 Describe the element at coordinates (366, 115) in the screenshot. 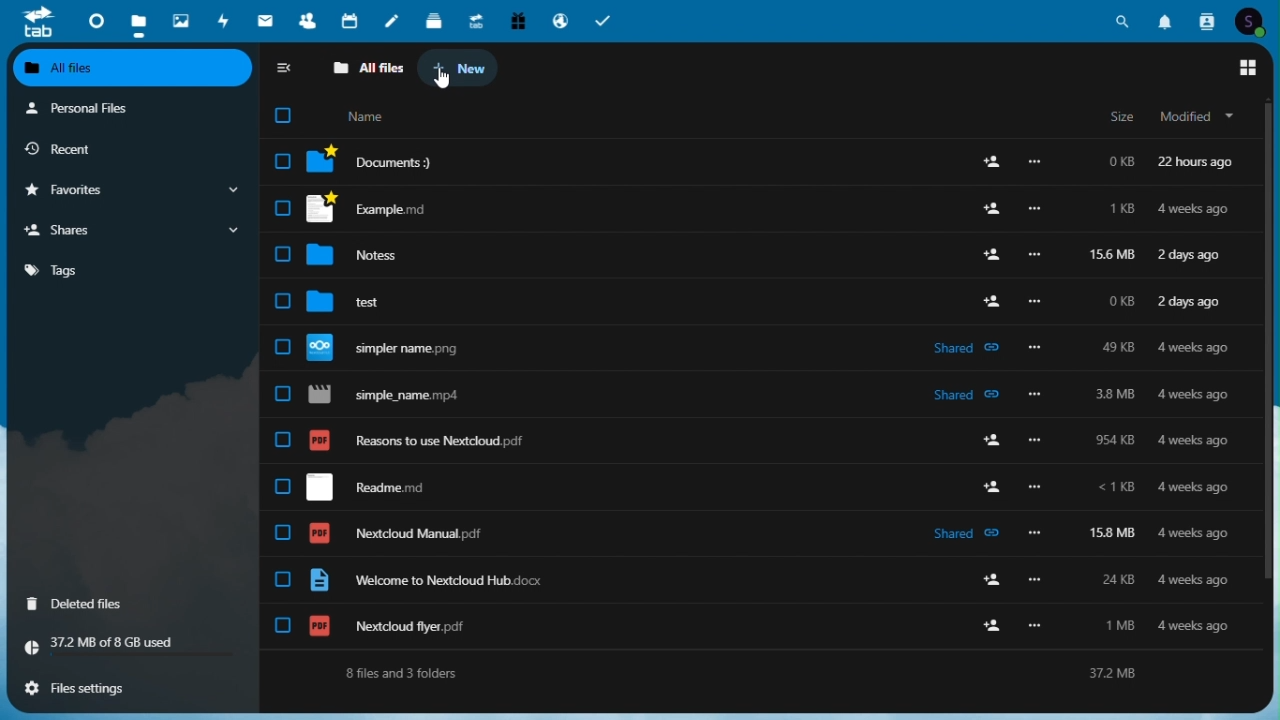

I see `name` at that location.